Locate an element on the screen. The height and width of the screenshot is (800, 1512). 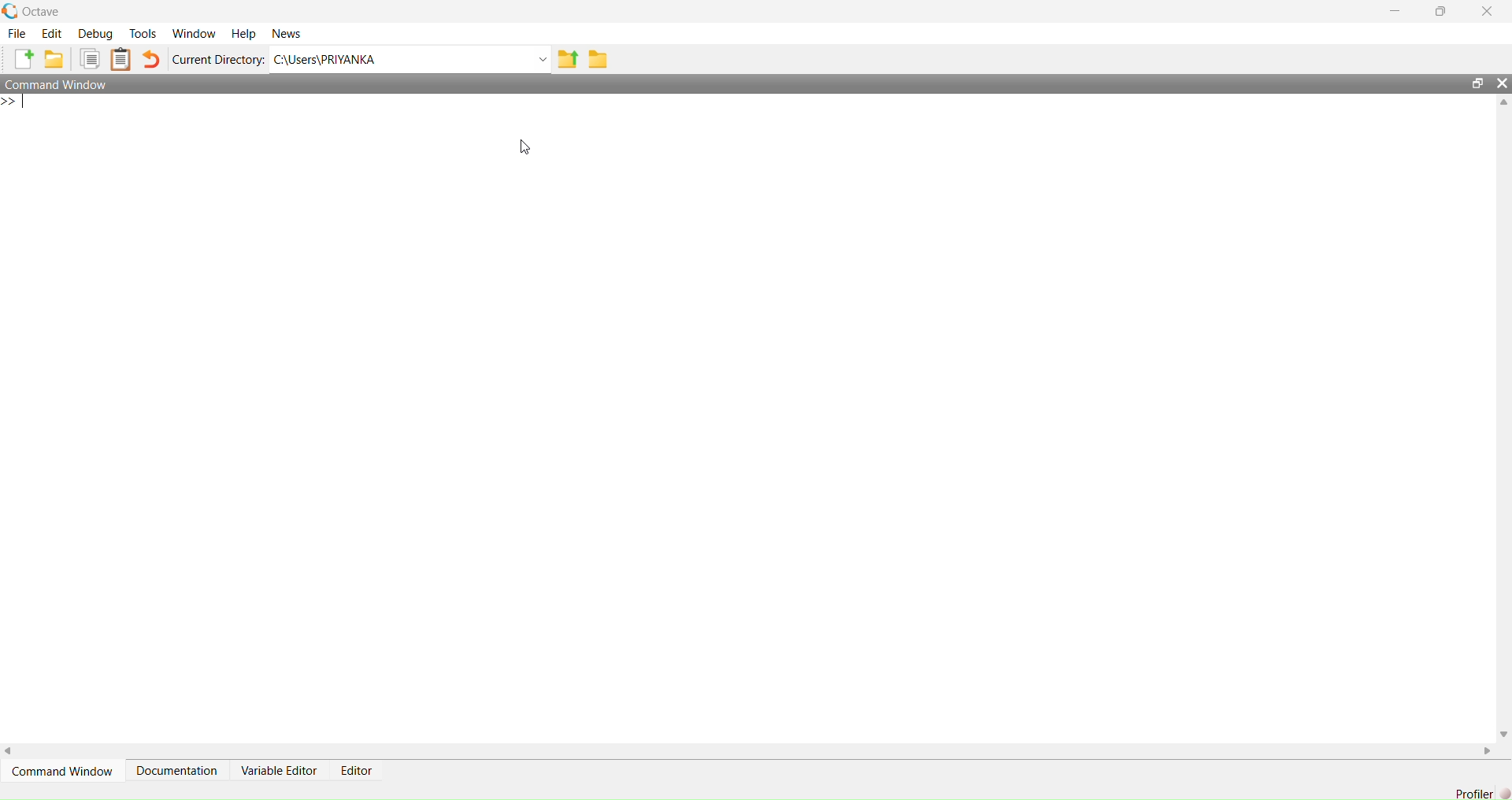
Copy is located at coordinates (91, 61).